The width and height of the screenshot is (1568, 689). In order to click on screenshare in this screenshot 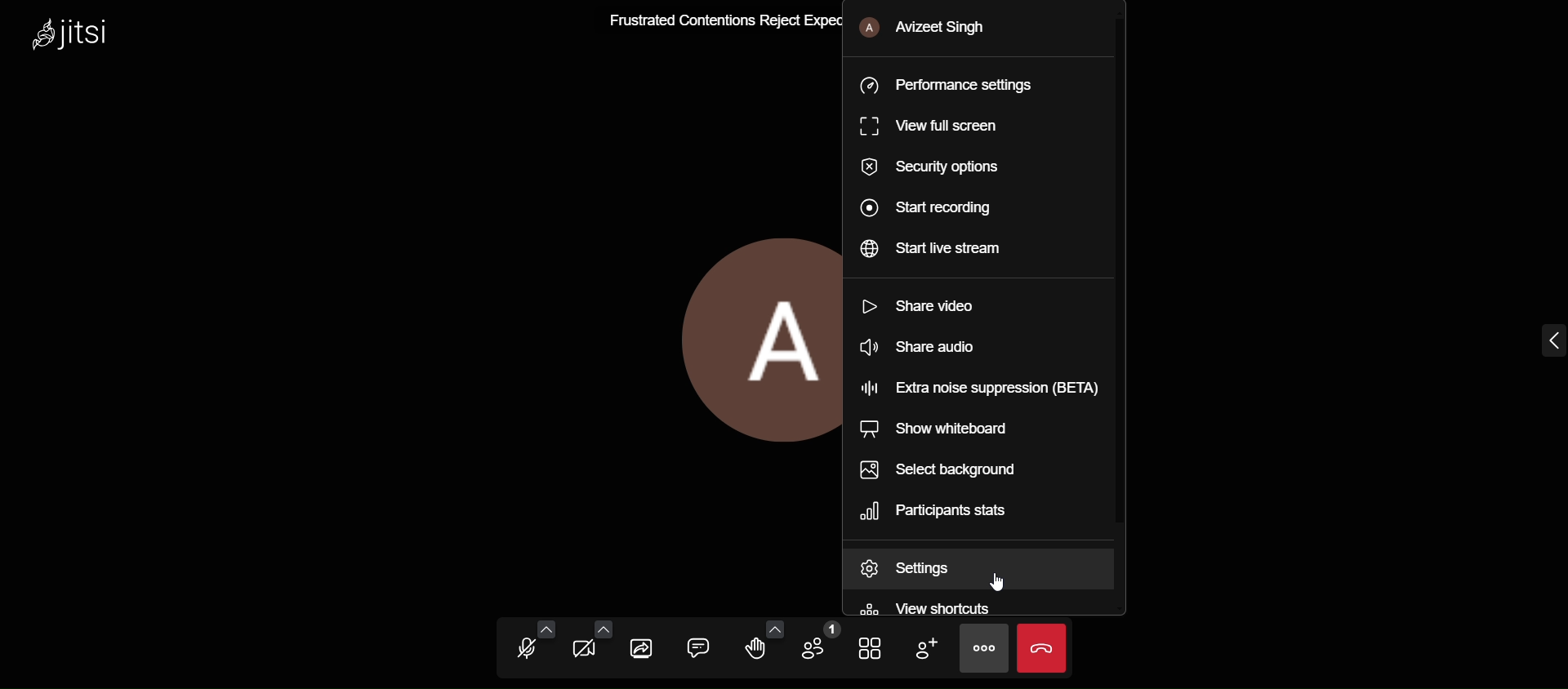, I will do `click(639, 648)`.